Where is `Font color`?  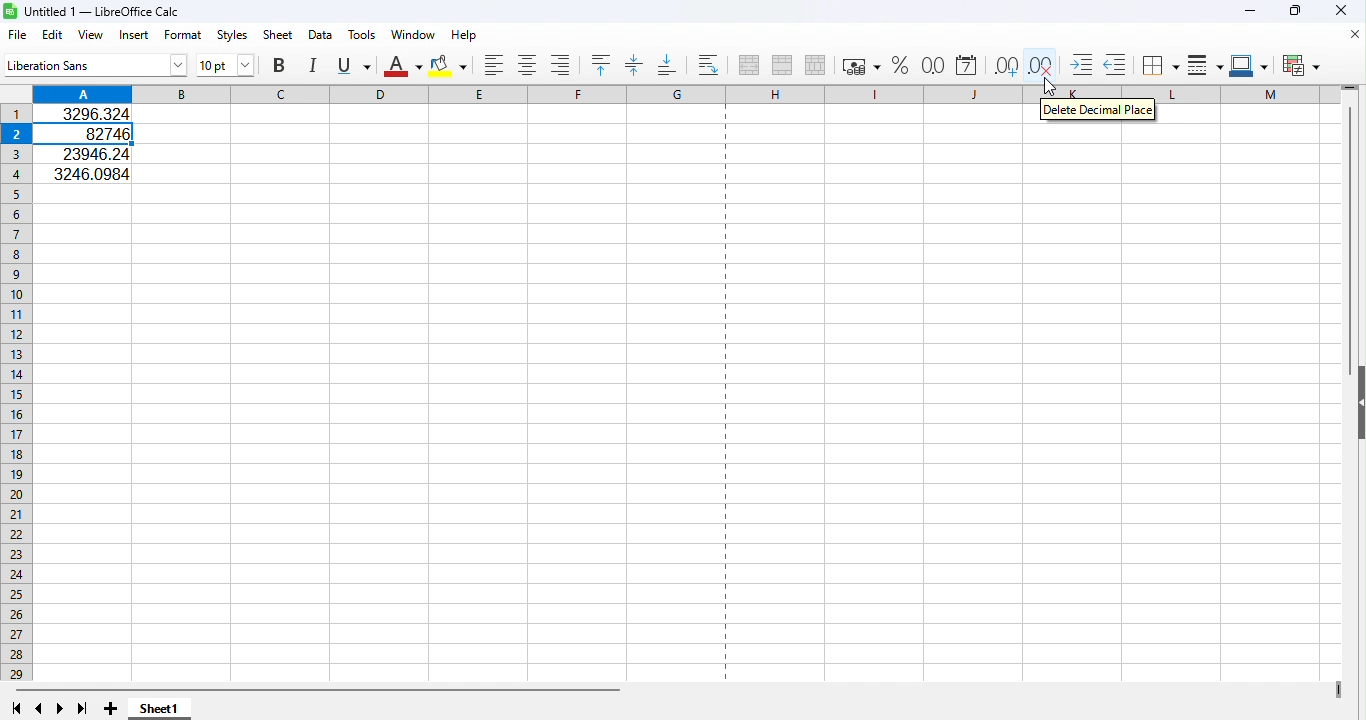 Font color is located at coordinates (403, 67).